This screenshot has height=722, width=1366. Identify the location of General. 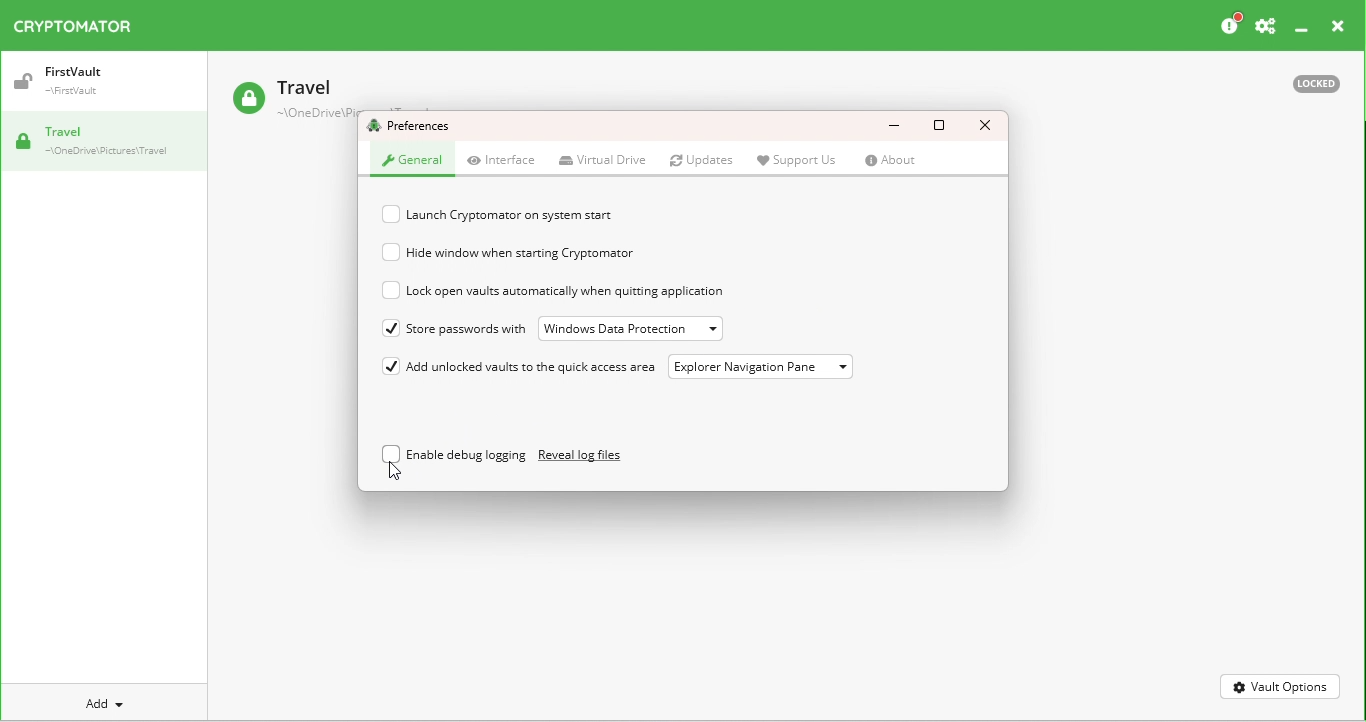
(409, 165).